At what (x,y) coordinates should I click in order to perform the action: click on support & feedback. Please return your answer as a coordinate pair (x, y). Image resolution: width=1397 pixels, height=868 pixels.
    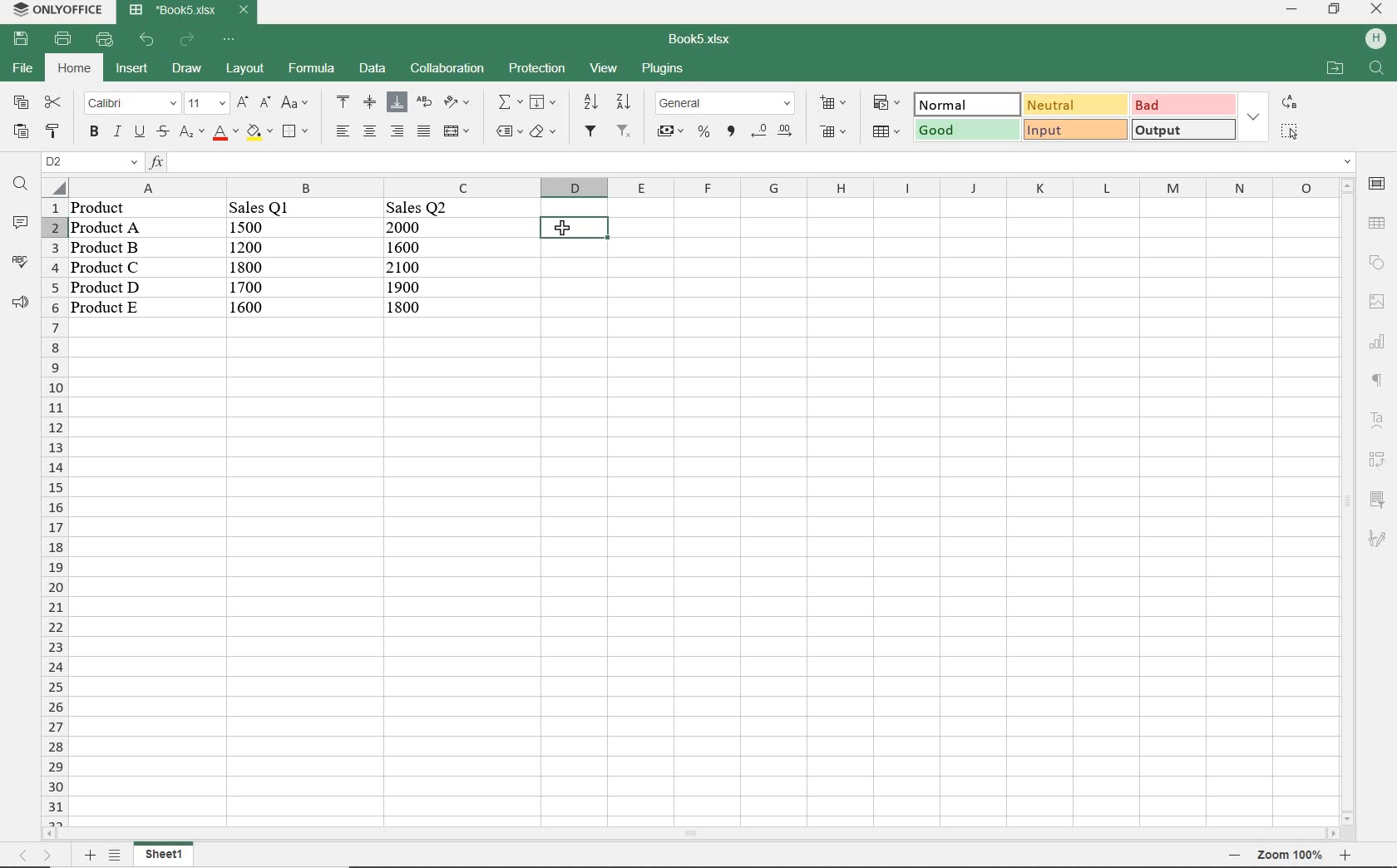
    Looking at the image, I should click on (17, 301).